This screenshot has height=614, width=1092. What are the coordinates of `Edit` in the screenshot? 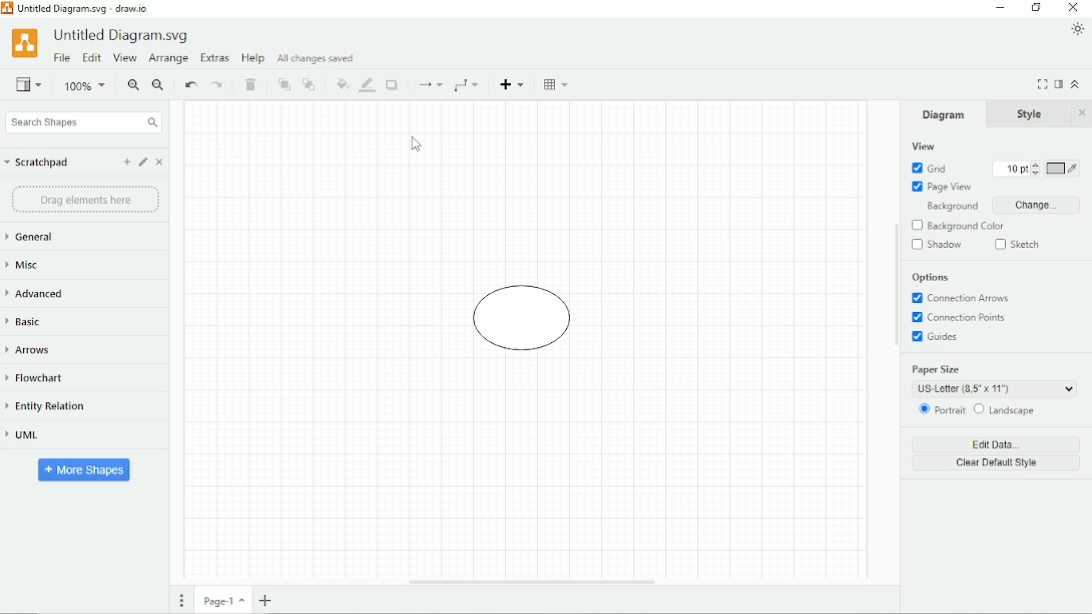 It's located at (92, 57).